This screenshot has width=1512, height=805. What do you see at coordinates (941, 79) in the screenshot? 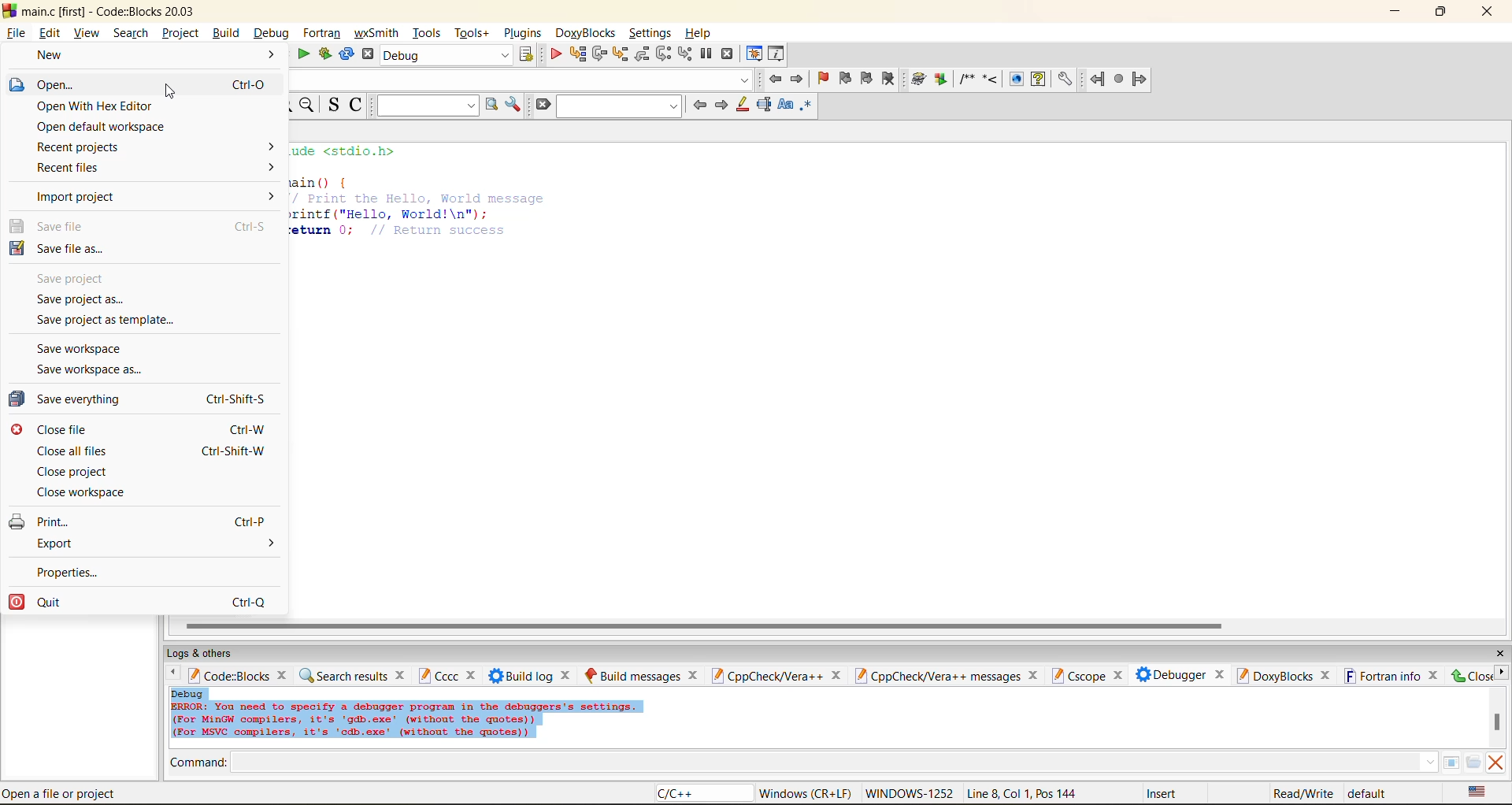
I see `Run` at bounding box center [941, 79].